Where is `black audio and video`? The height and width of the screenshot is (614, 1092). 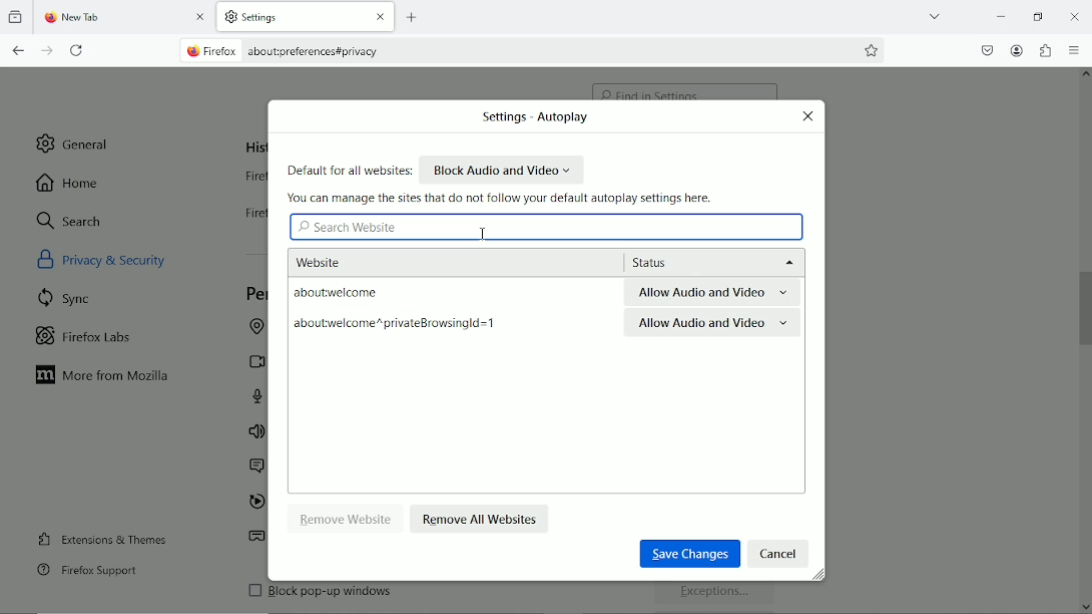 black audio and video is located at coordinates (503, 169).